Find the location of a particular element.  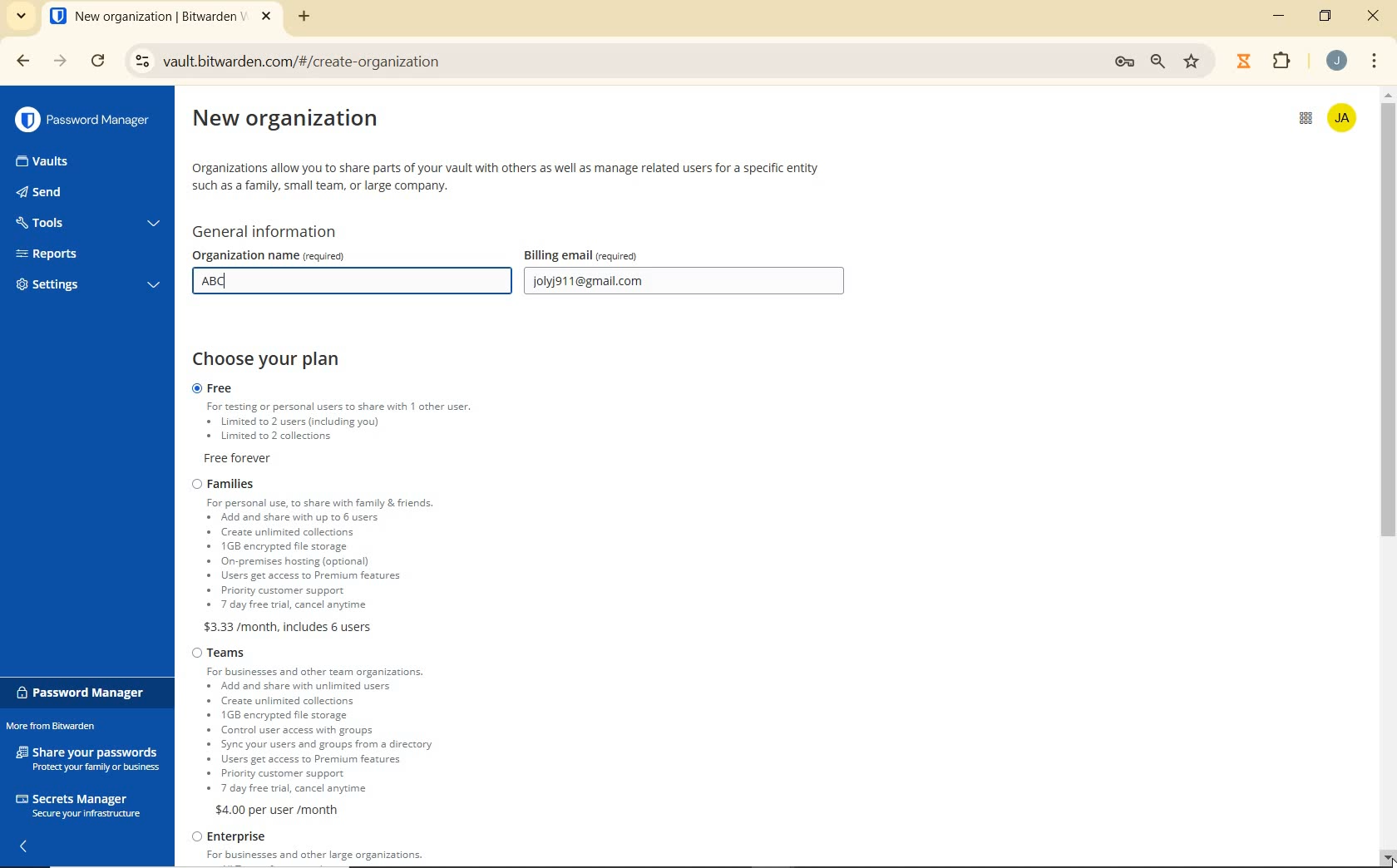

collapse is located at coordinates (26, 847).